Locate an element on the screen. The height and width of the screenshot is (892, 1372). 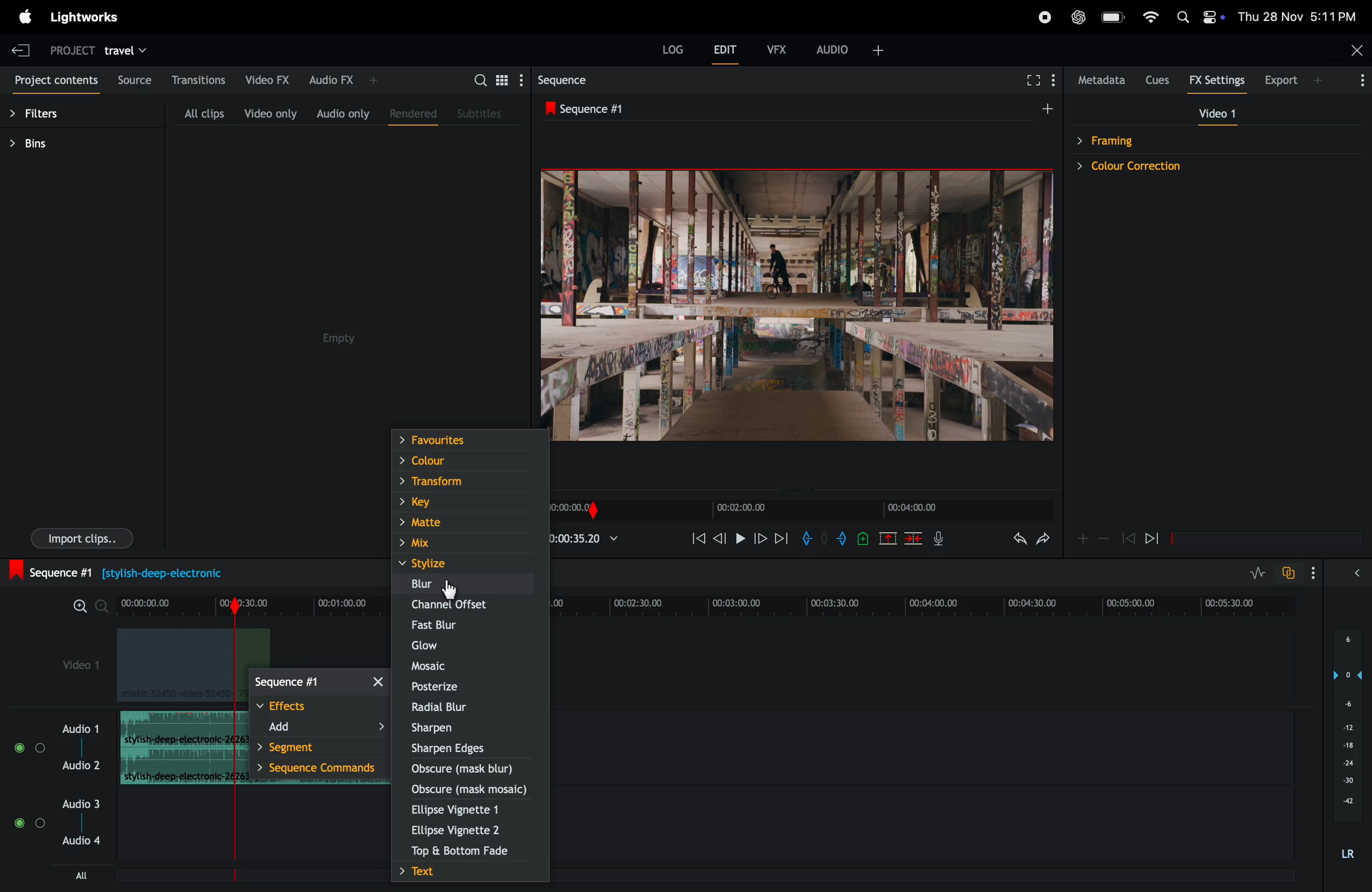
sequence #1 is located at coordinates (114, 572).